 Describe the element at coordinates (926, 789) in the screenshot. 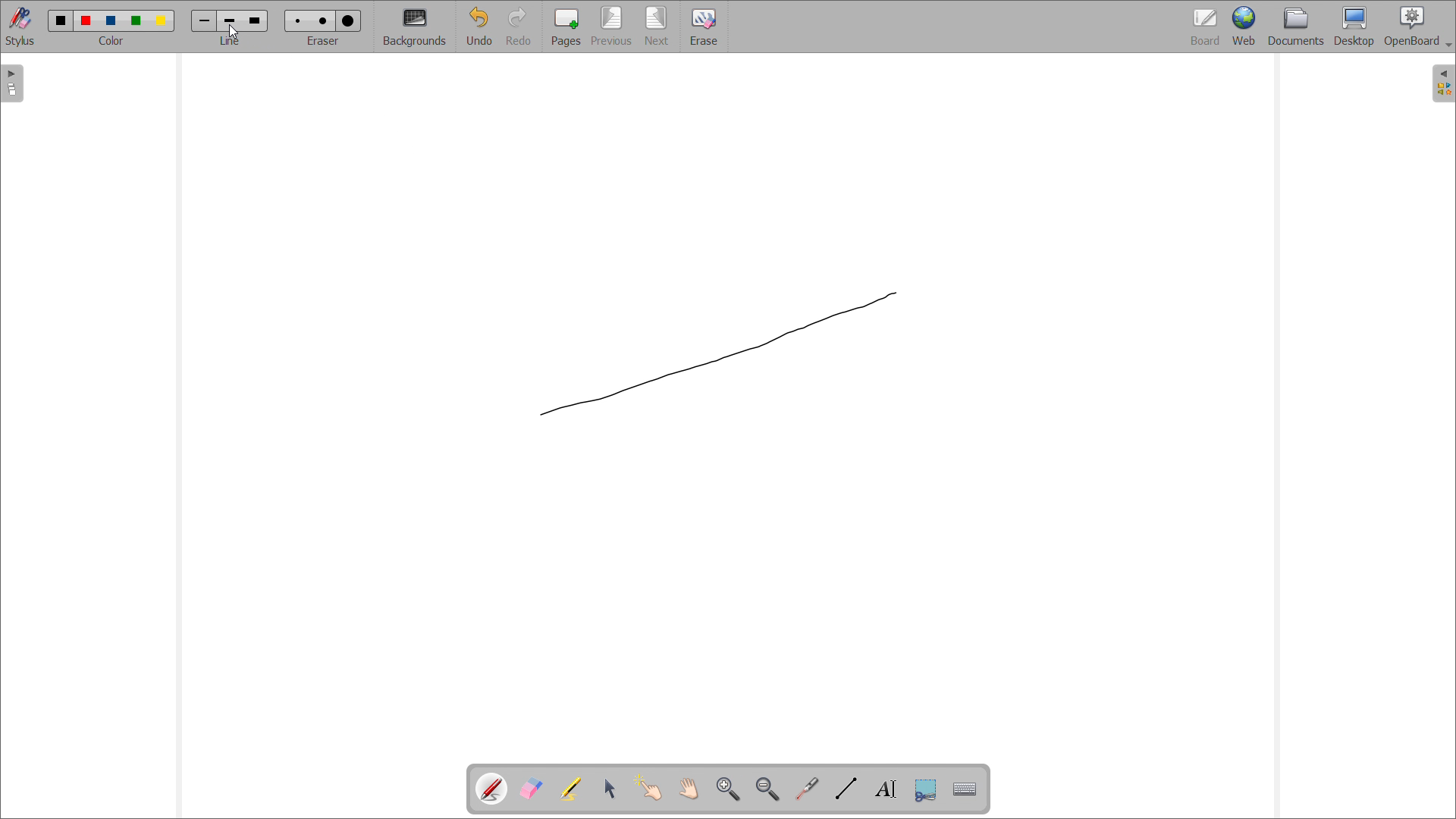

I see `capture part of the screen` at that location.